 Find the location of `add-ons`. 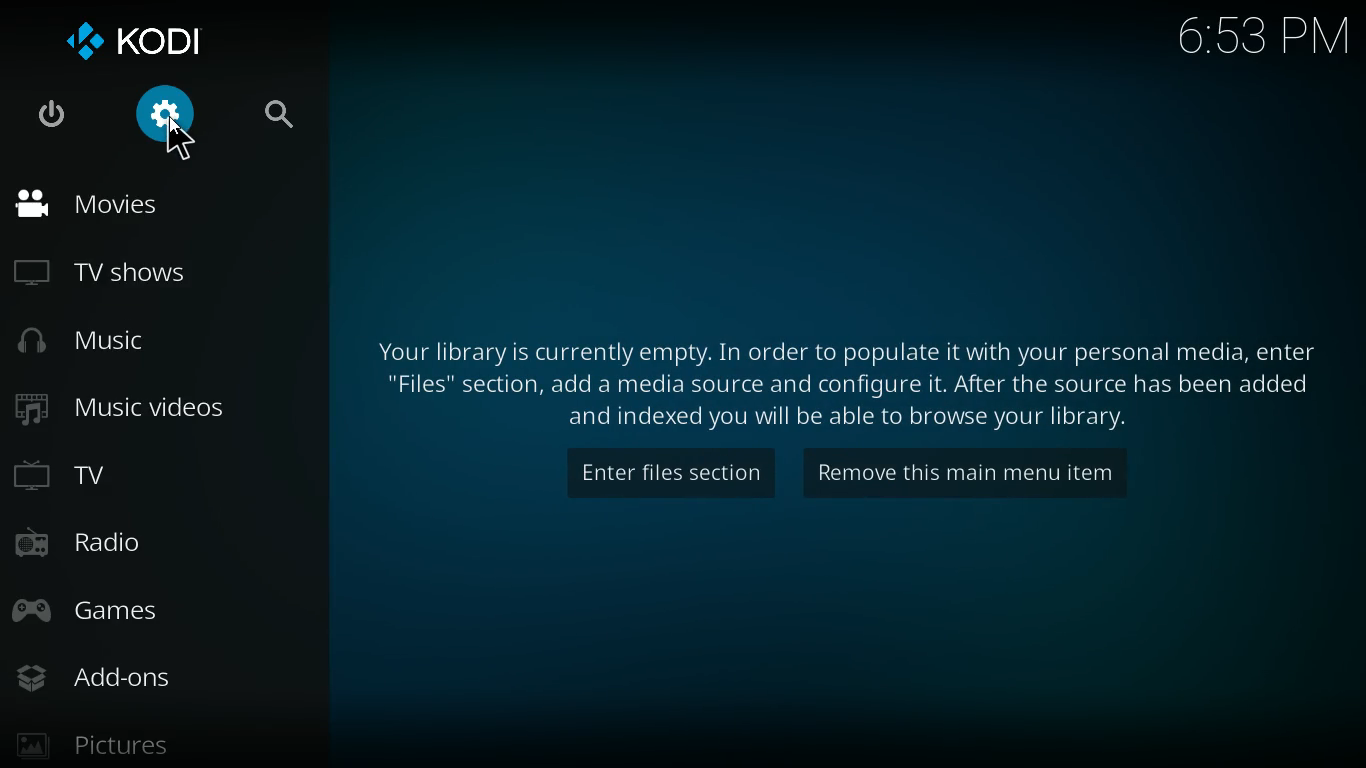

add-ons is located at coordinates (110, 676).